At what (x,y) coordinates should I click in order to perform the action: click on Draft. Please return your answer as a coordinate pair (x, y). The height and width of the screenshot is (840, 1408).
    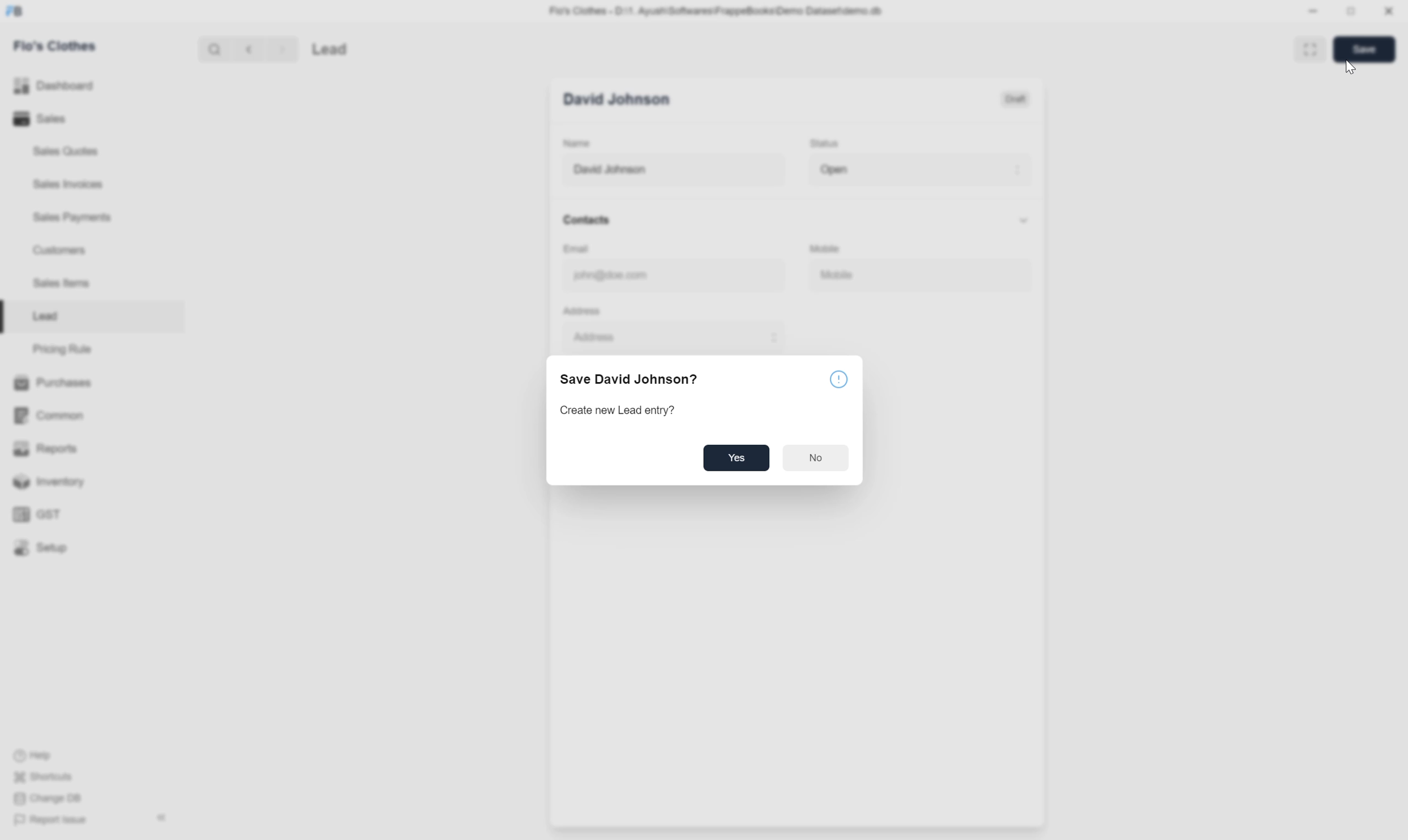
    Looking at the image, I should click on (1015, 98).